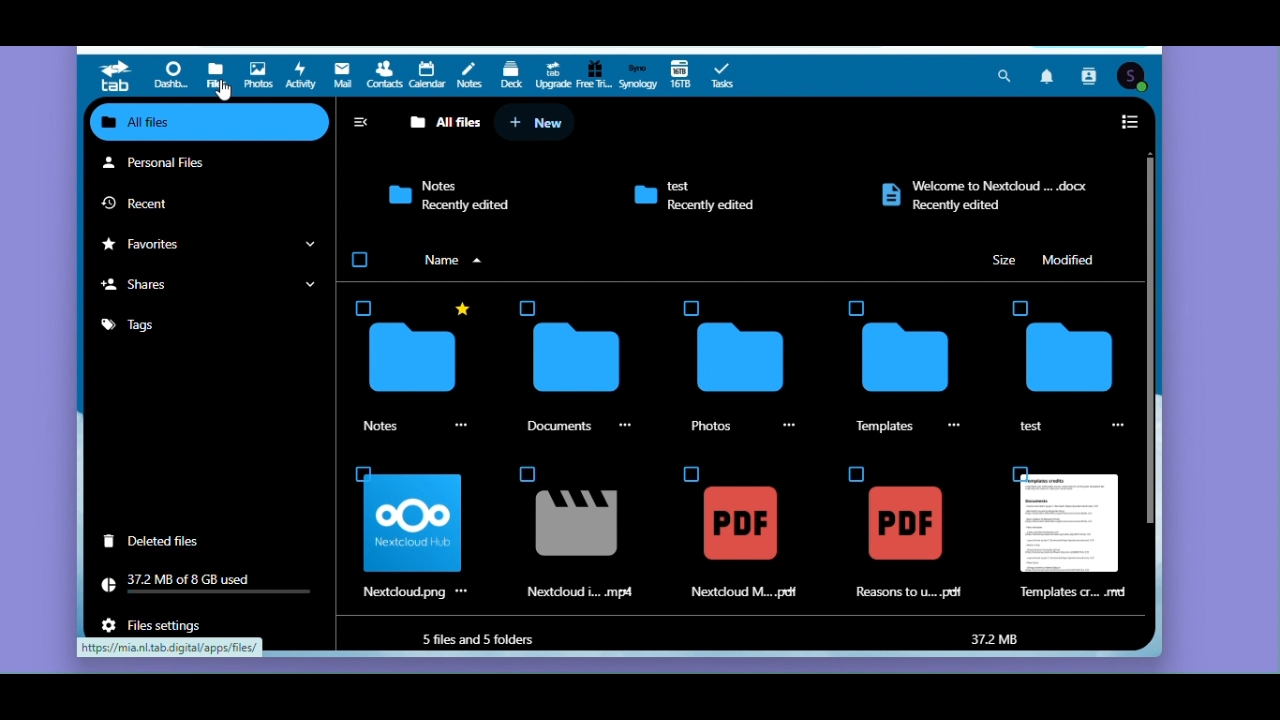 This screenshot has width=1280, height=720. What do you see at coordinates (205, 587) in the screenshot?
I see `Storage usage` at bounding box center [205, 587].